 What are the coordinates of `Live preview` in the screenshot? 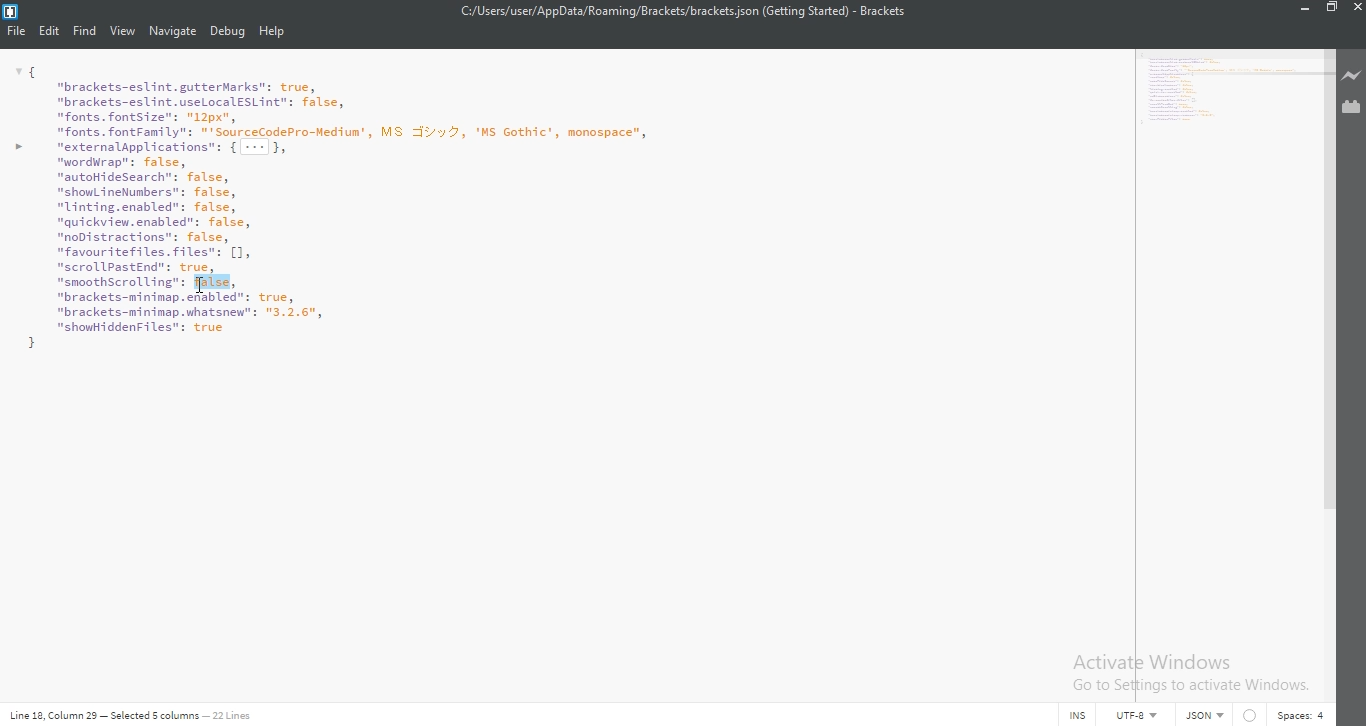 It's located at (1353, 77).